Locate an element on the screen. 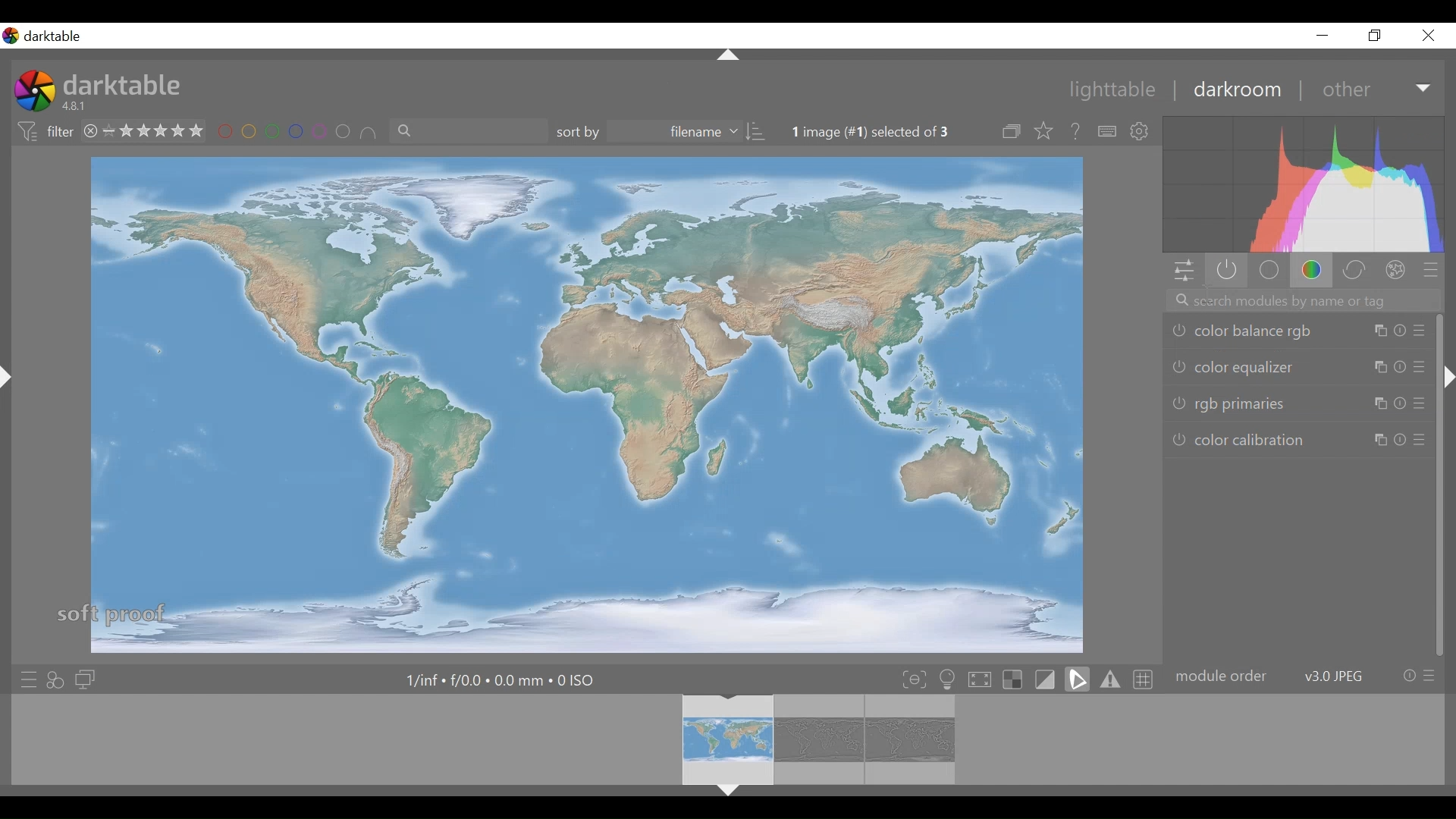  Maximum Exposure is located at coordinates (502, 679).